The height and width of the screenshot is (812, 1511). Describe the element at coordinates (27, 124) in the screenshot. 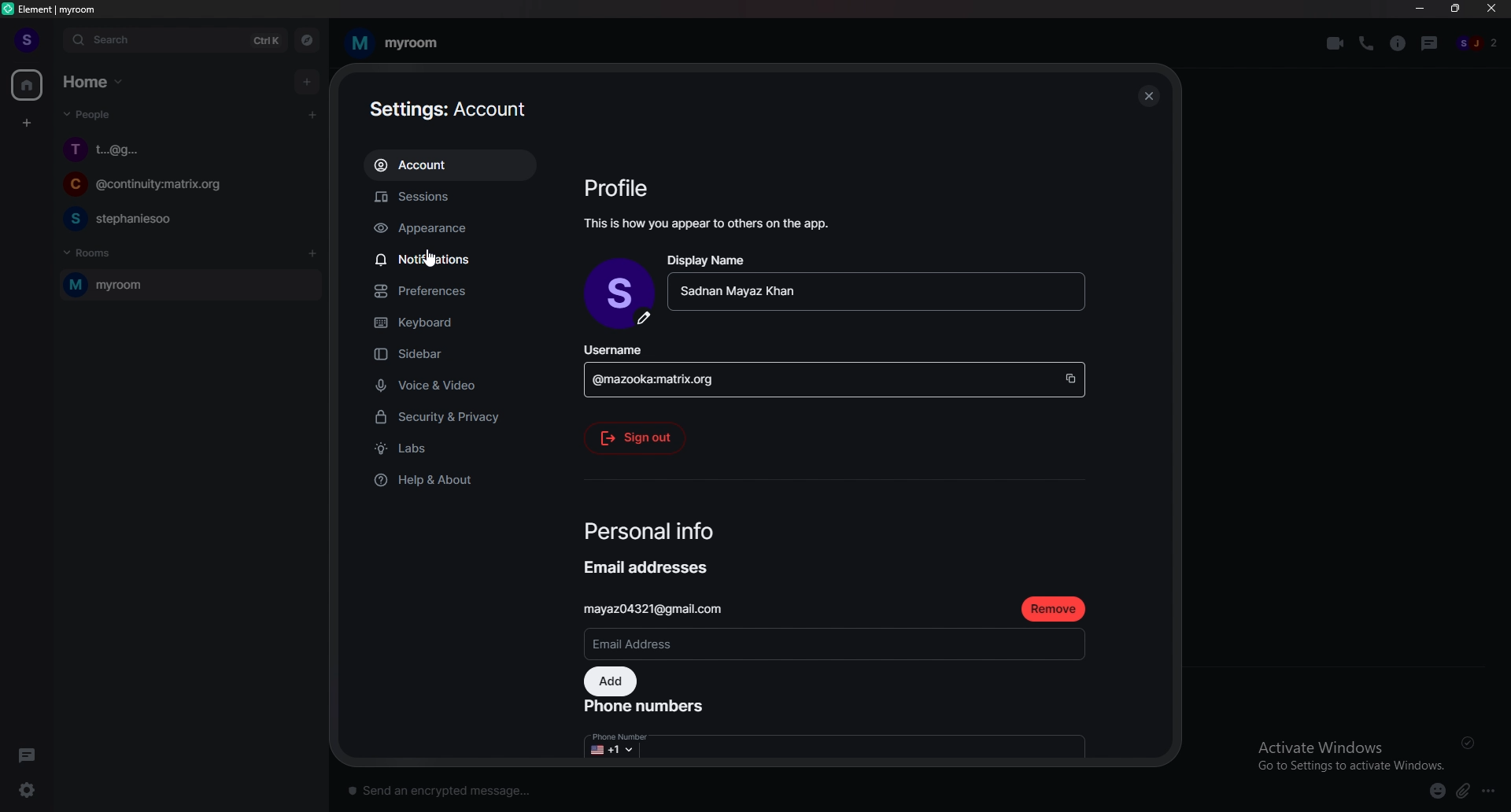

I see `create a space` at that location.